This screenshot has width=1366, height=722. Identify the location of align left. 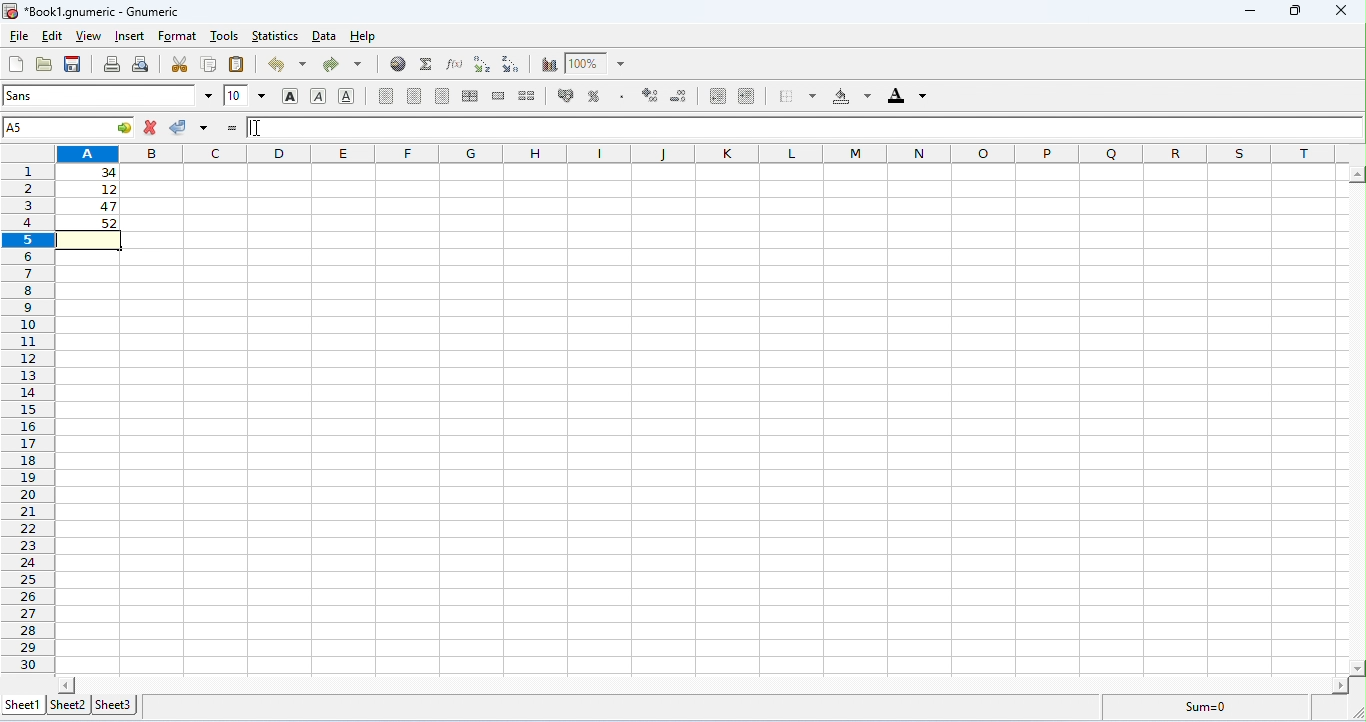
(386, 96).